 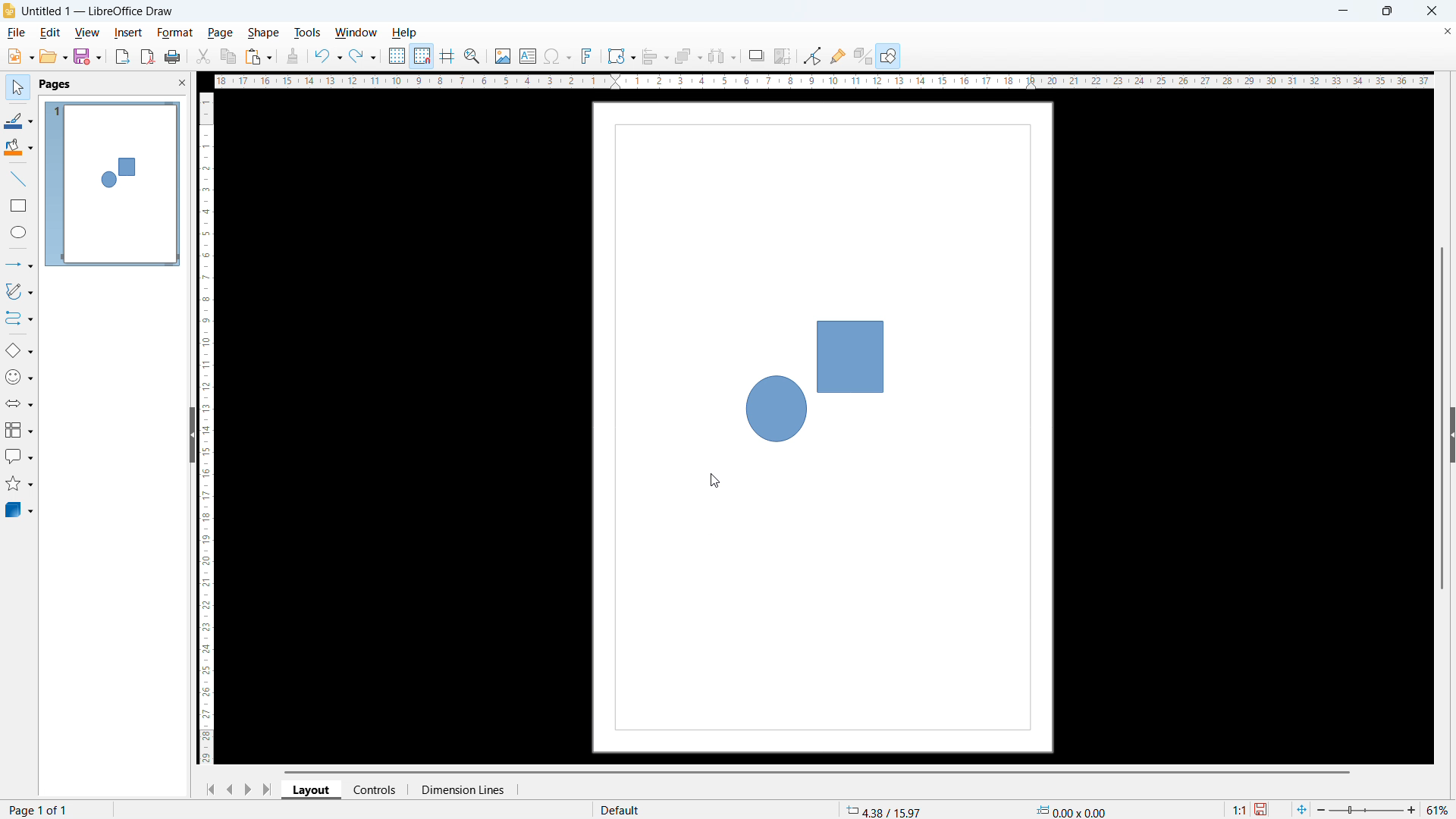 What do you see at coordinates (422, 55) in the screenshot?
I see `snap to grid` at bounding box center [422, 55].